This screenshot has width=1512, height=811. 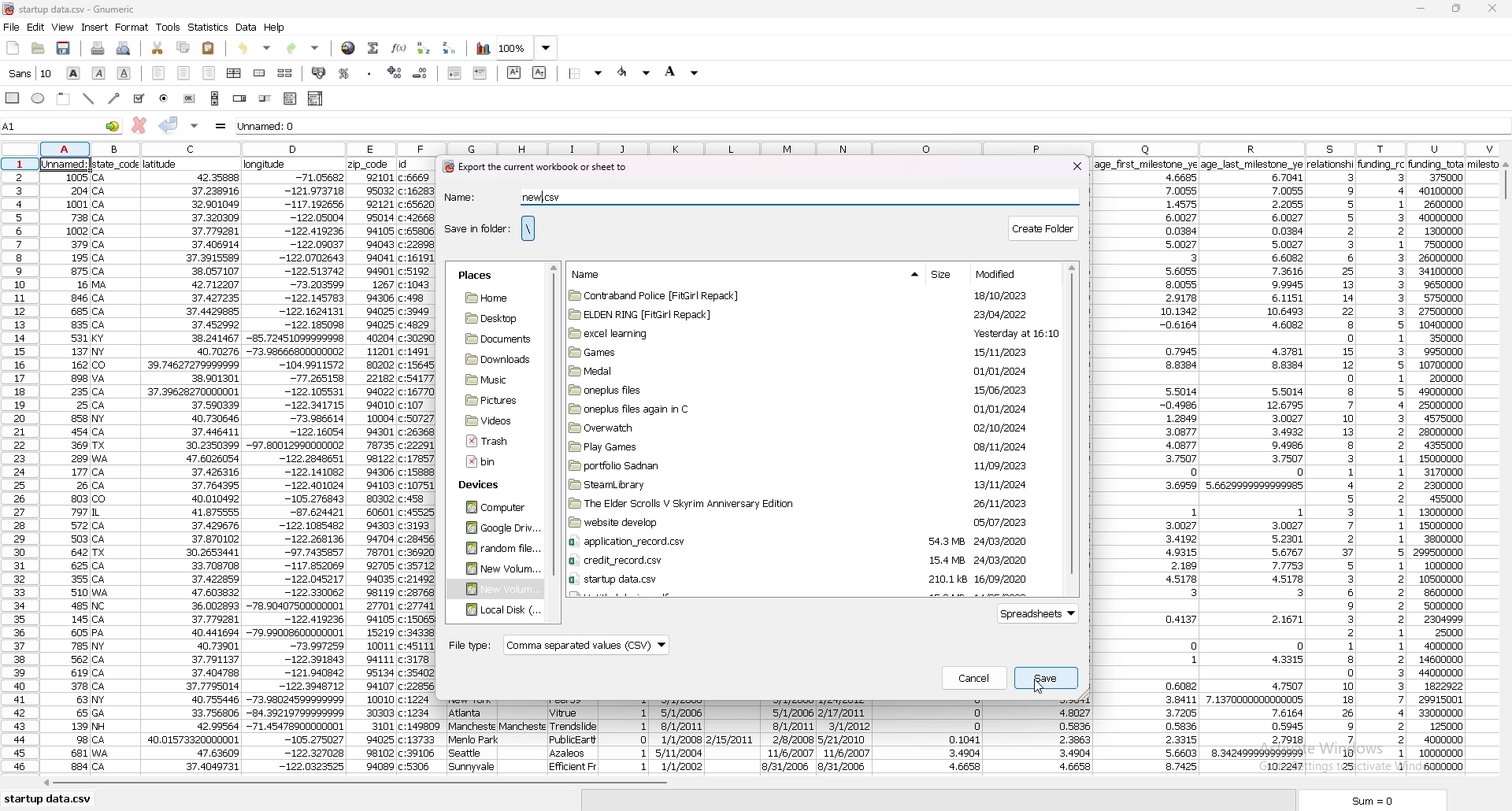 I want to click on save, so click(x=65, y=48).